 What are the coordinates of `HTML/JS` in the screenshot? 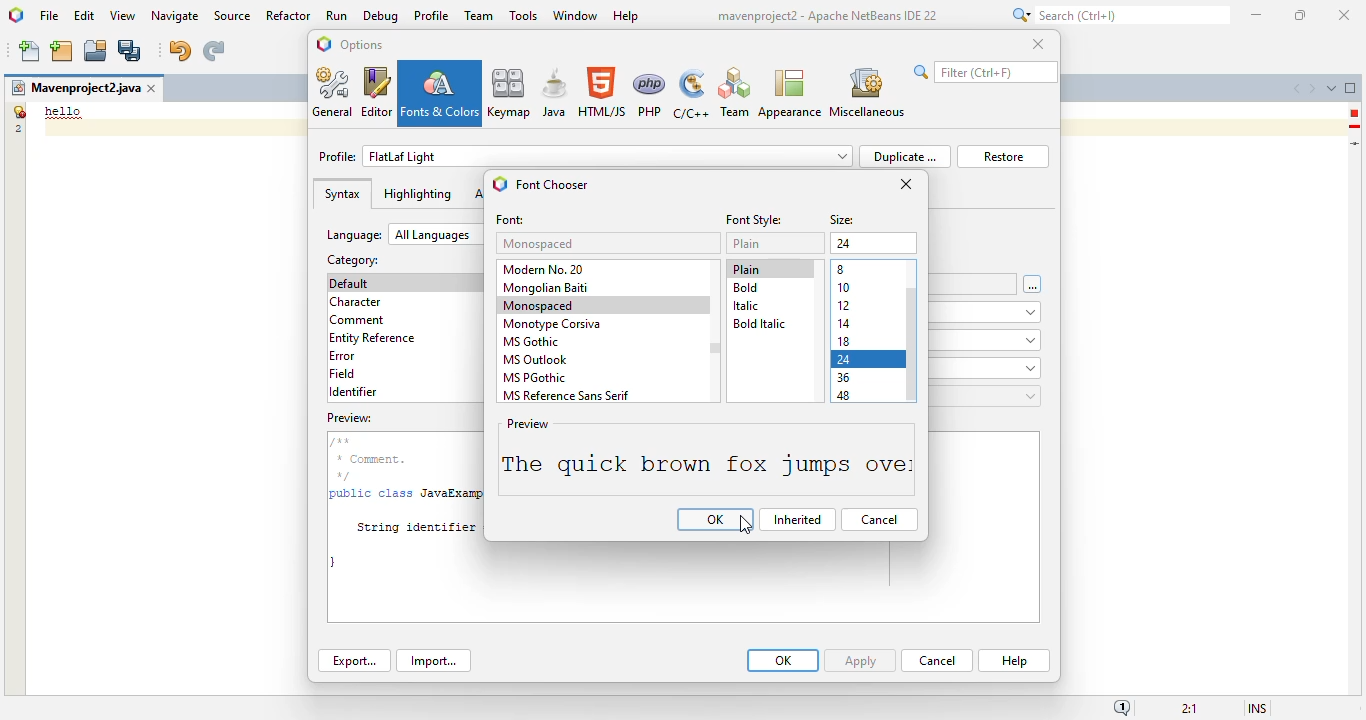 It's located at (603, 92).